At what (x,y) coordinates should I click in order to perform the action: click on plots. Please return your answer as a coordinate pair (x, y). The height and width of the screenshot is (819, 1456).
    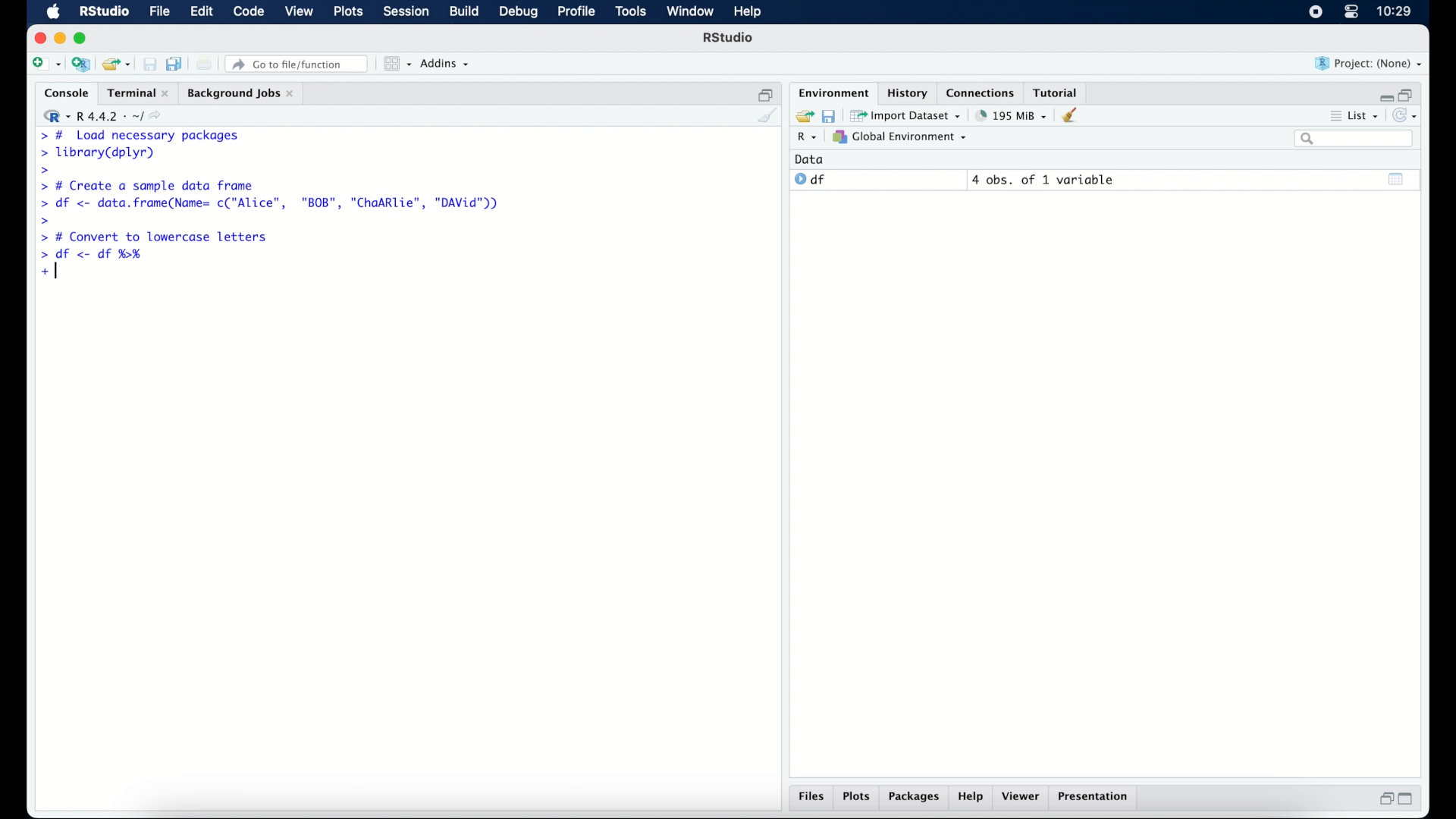
    Looking at the image, I should click on (858, 798).